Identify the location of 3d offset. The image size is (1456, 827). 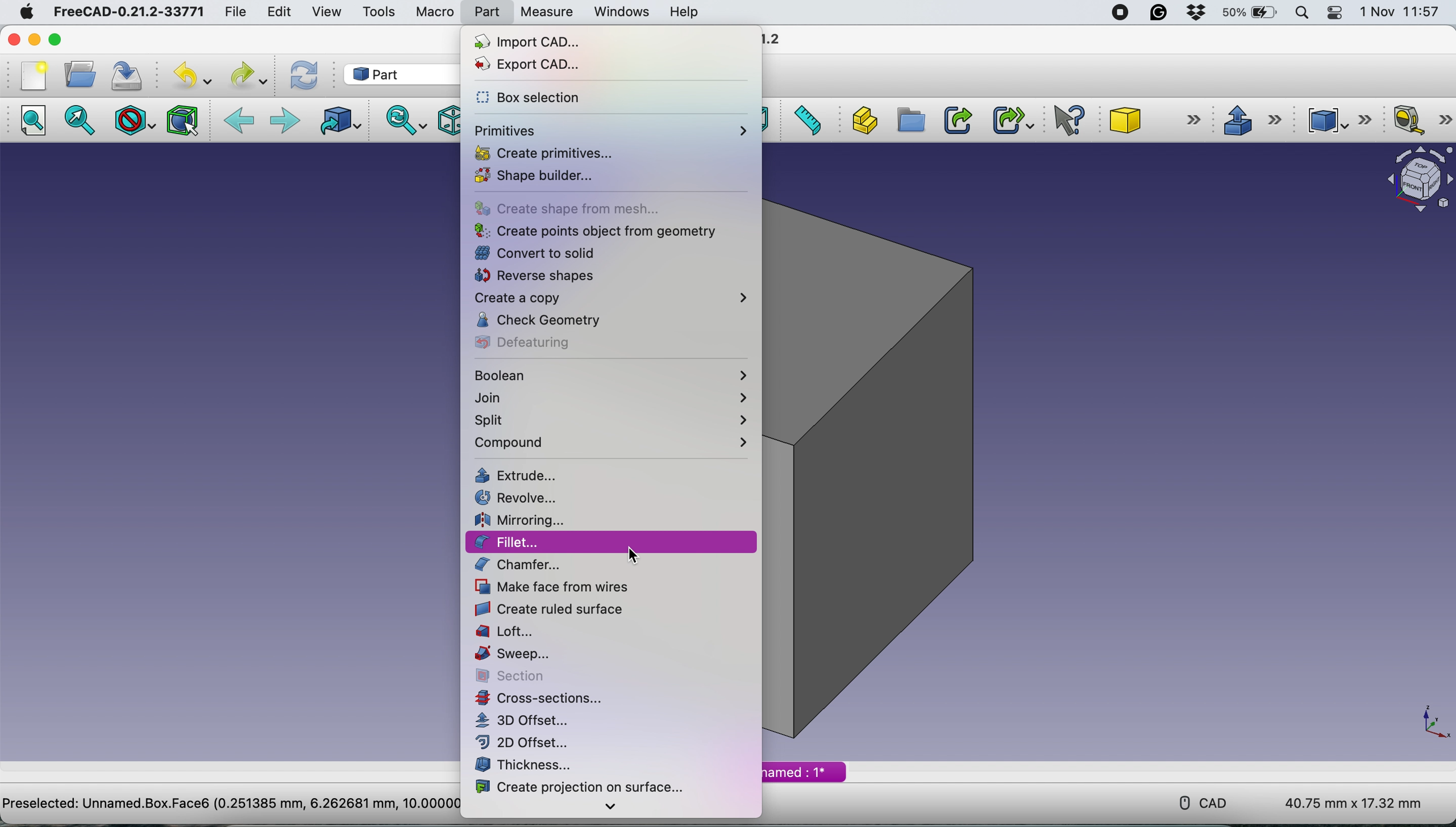
(528, 721).